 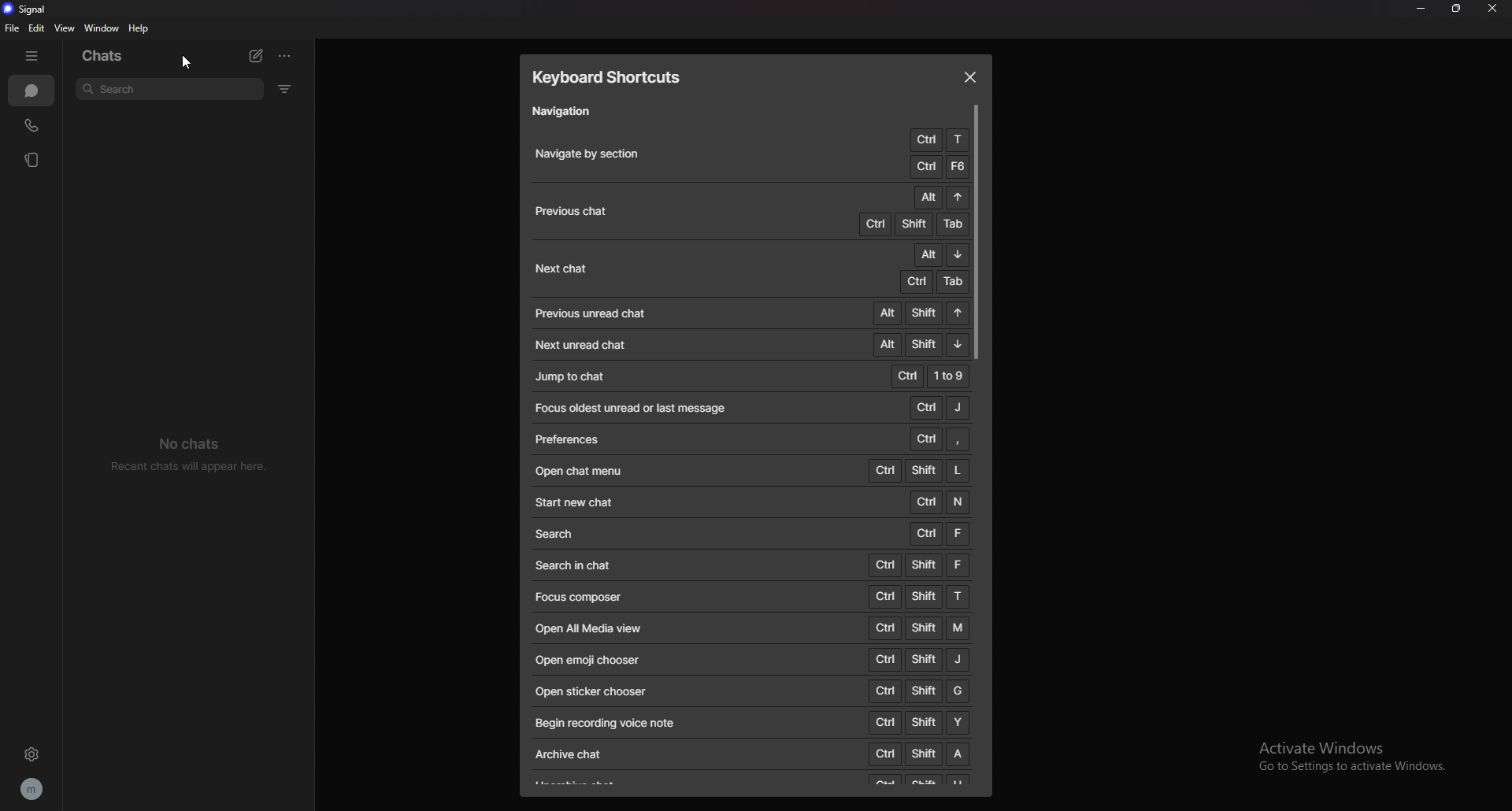 I want to click on next unread chat, so click(x=589, y=344).